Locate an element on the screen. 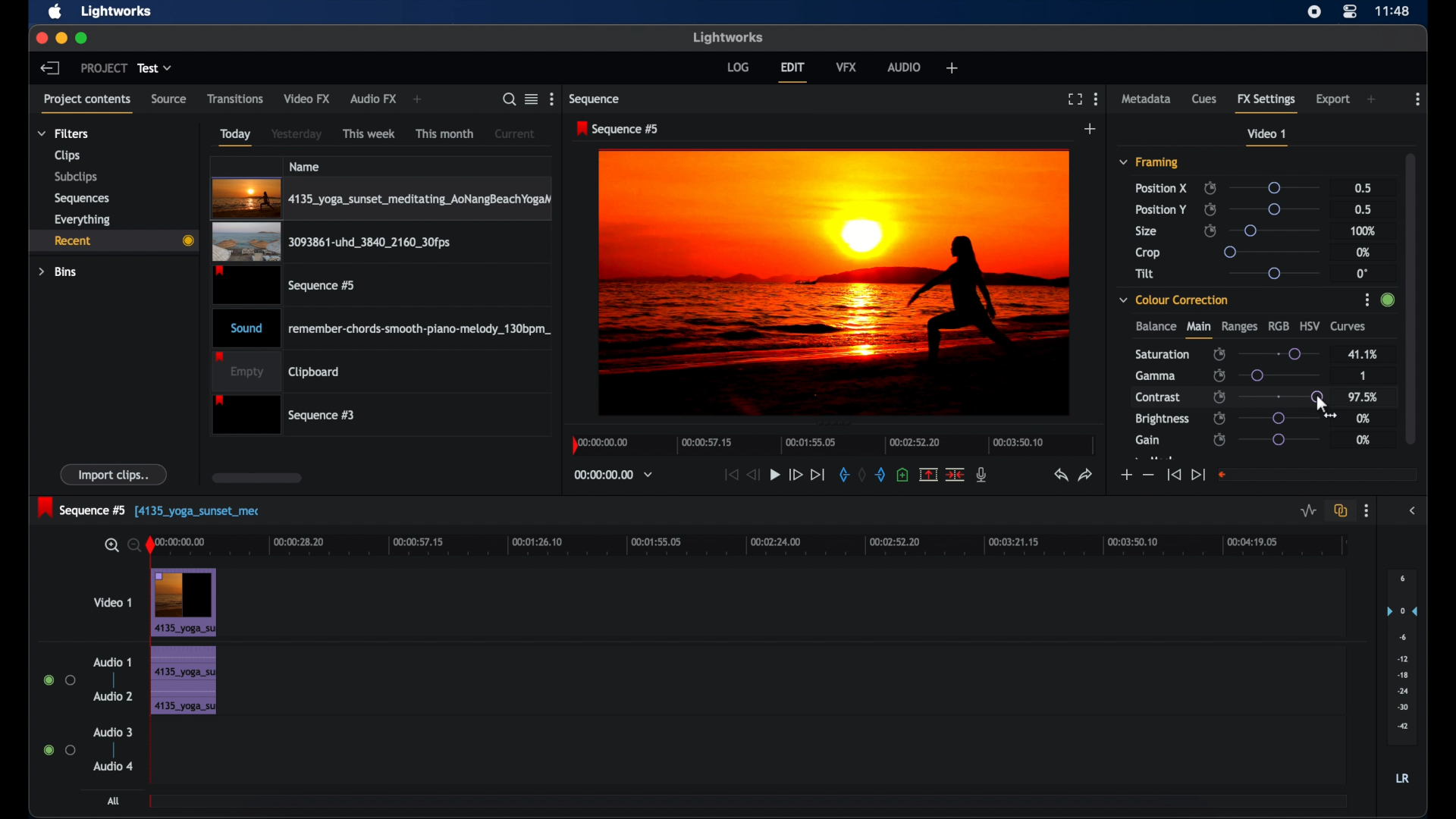 This screenshot has width=1456, height=819. video 1 is located at coordinates (112, 602).